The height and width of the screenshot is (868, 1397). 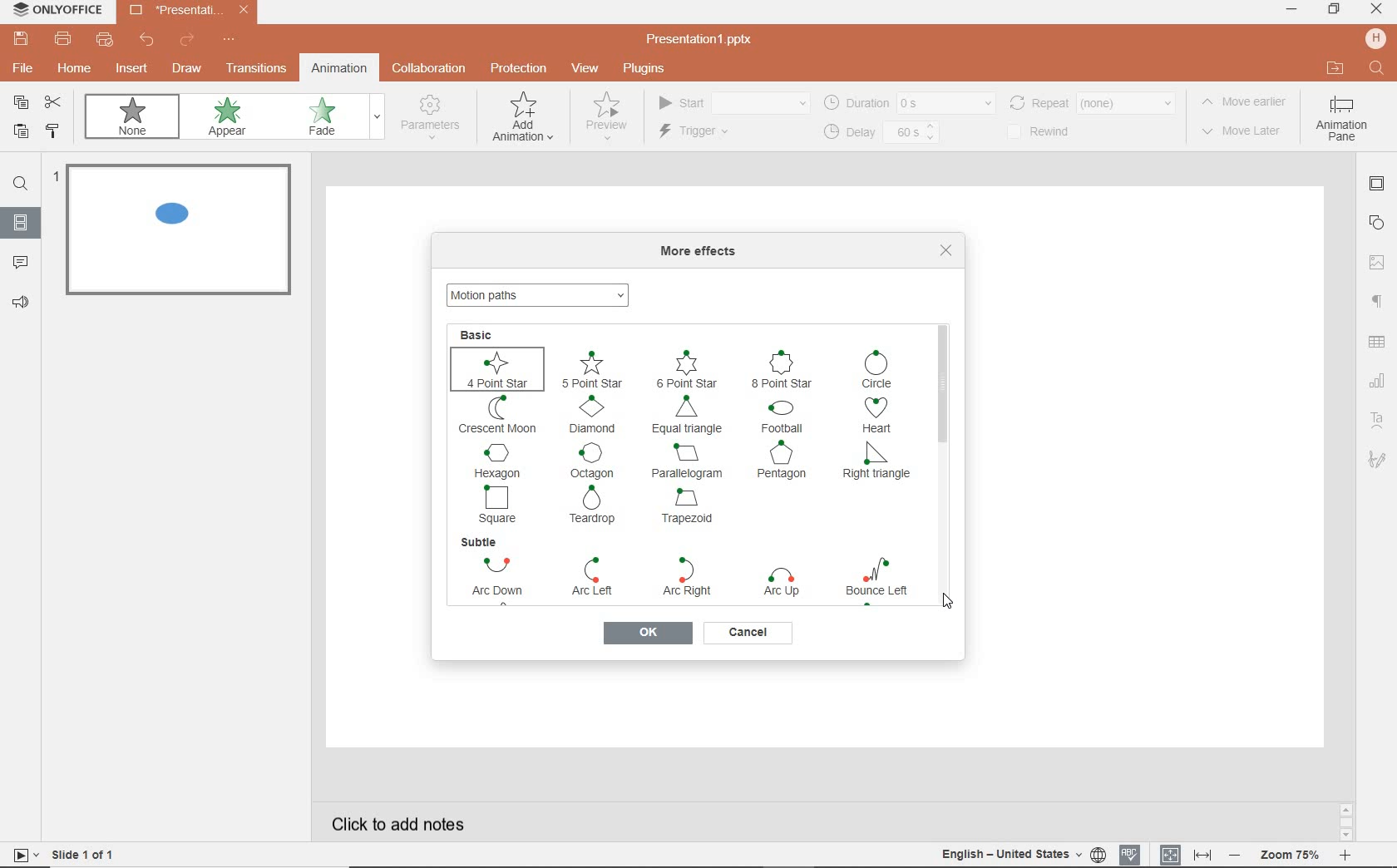 I want to click on 4 POINT STAR, so click(x=498, y=367).